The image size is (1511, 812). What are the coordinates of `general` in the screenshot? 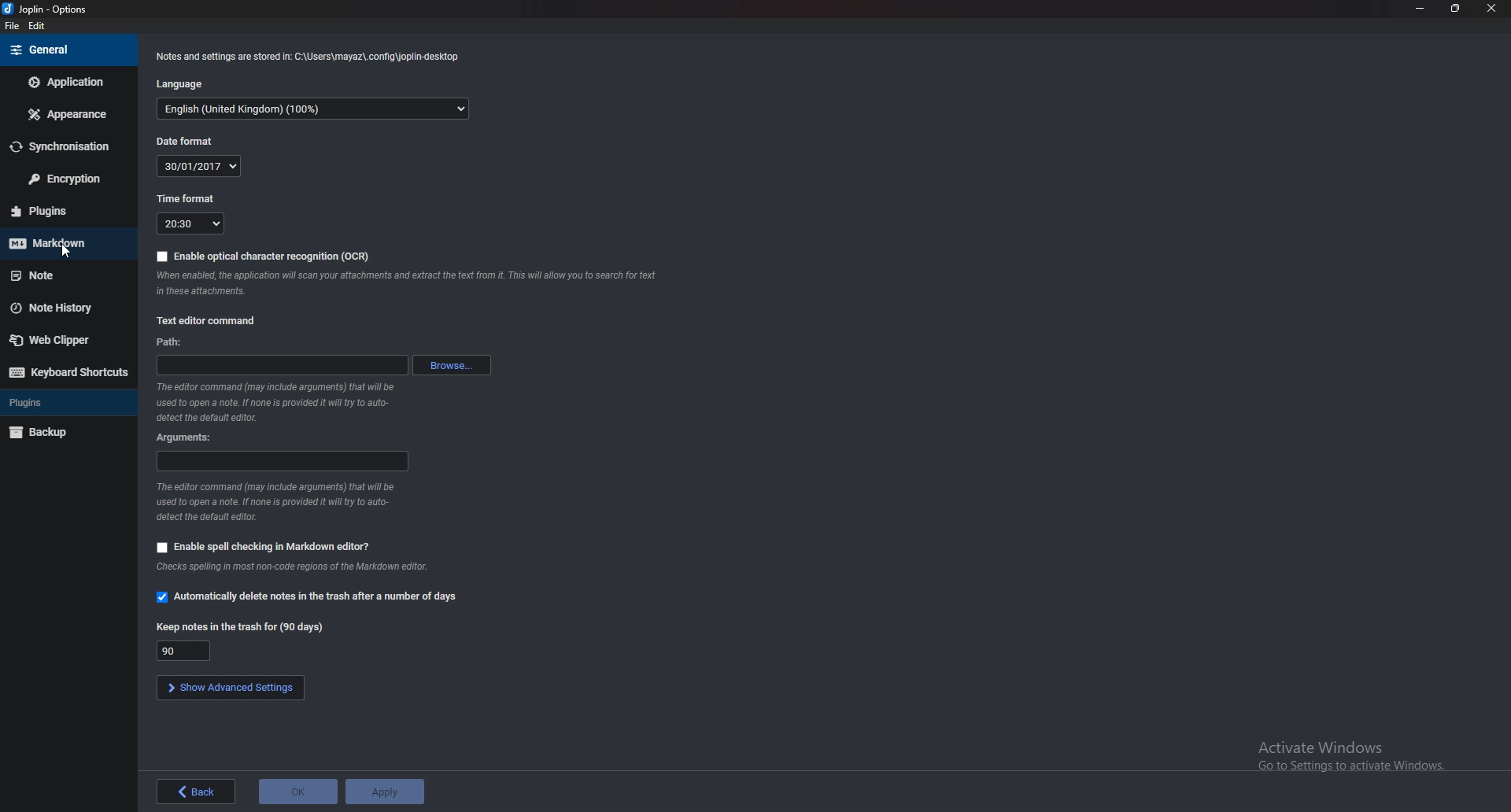 It's located at (65, 50).